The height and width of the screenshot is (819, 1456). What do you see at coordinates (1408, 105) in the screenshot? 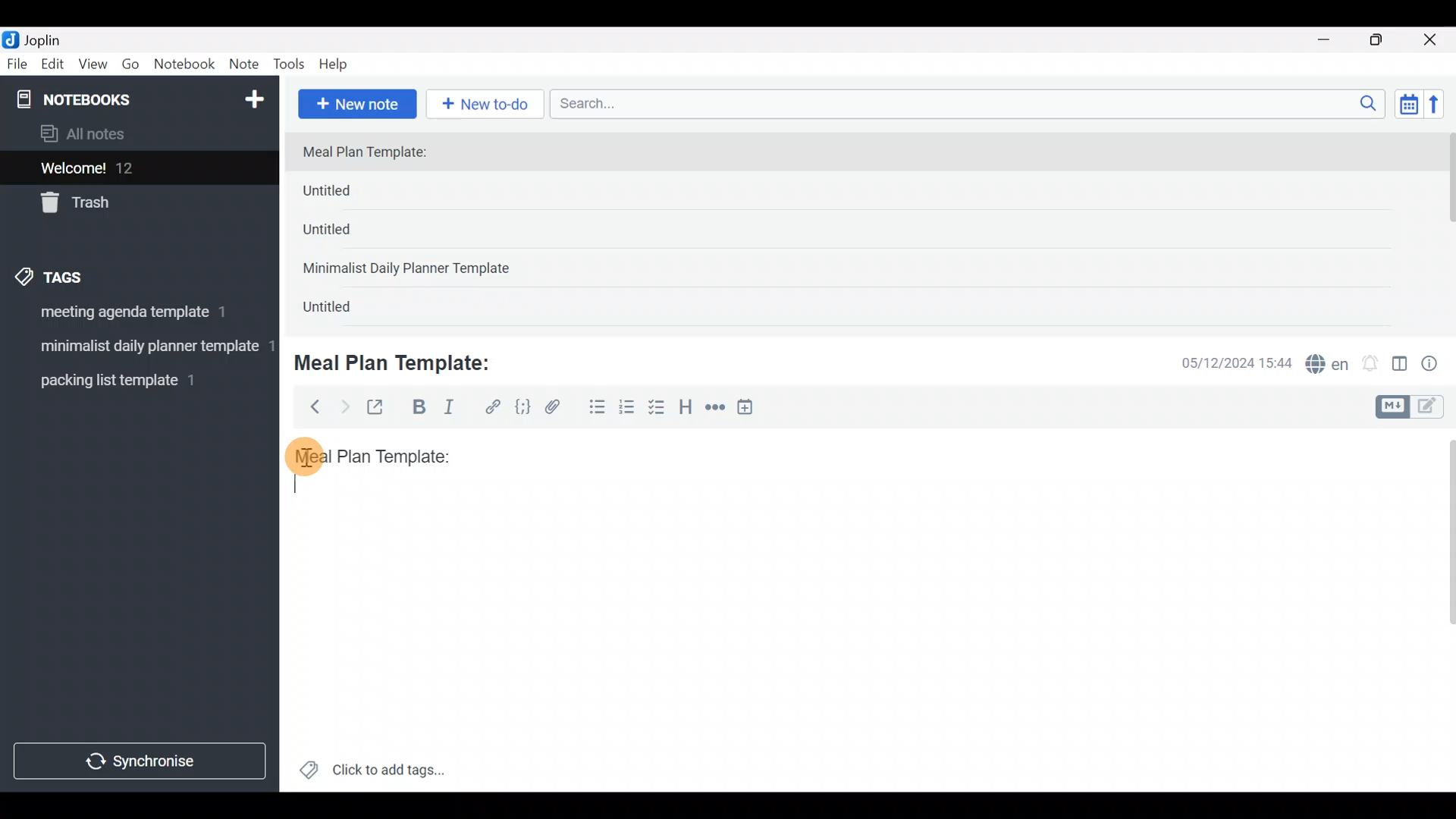
I see `Toggle sort order` at bounding box center [1408, 105].